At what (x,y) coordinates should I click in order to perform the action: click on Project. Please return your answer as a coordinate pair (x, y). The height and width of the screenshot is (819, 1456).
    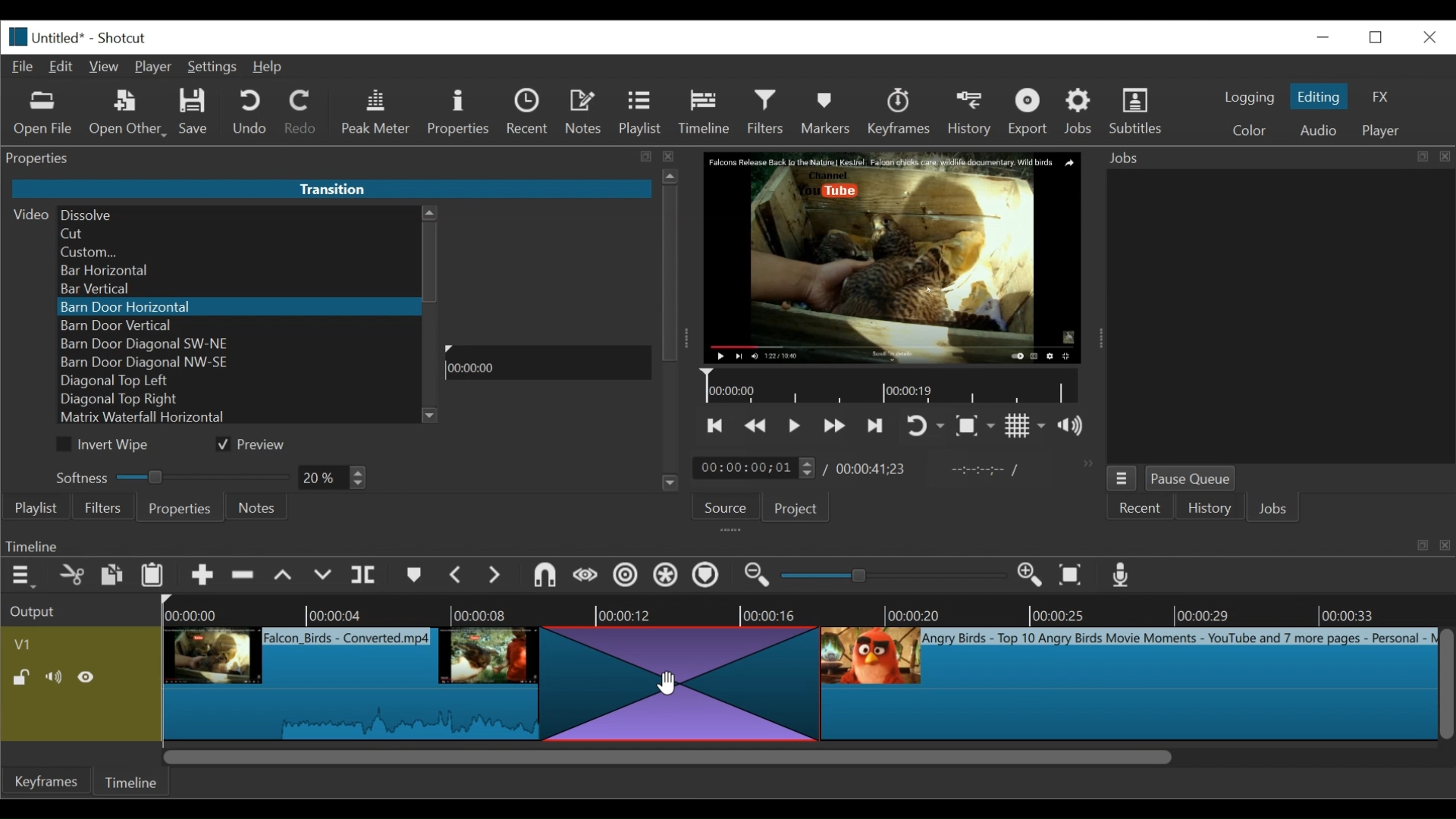
    Looking at the image, I should click on (802, 507).